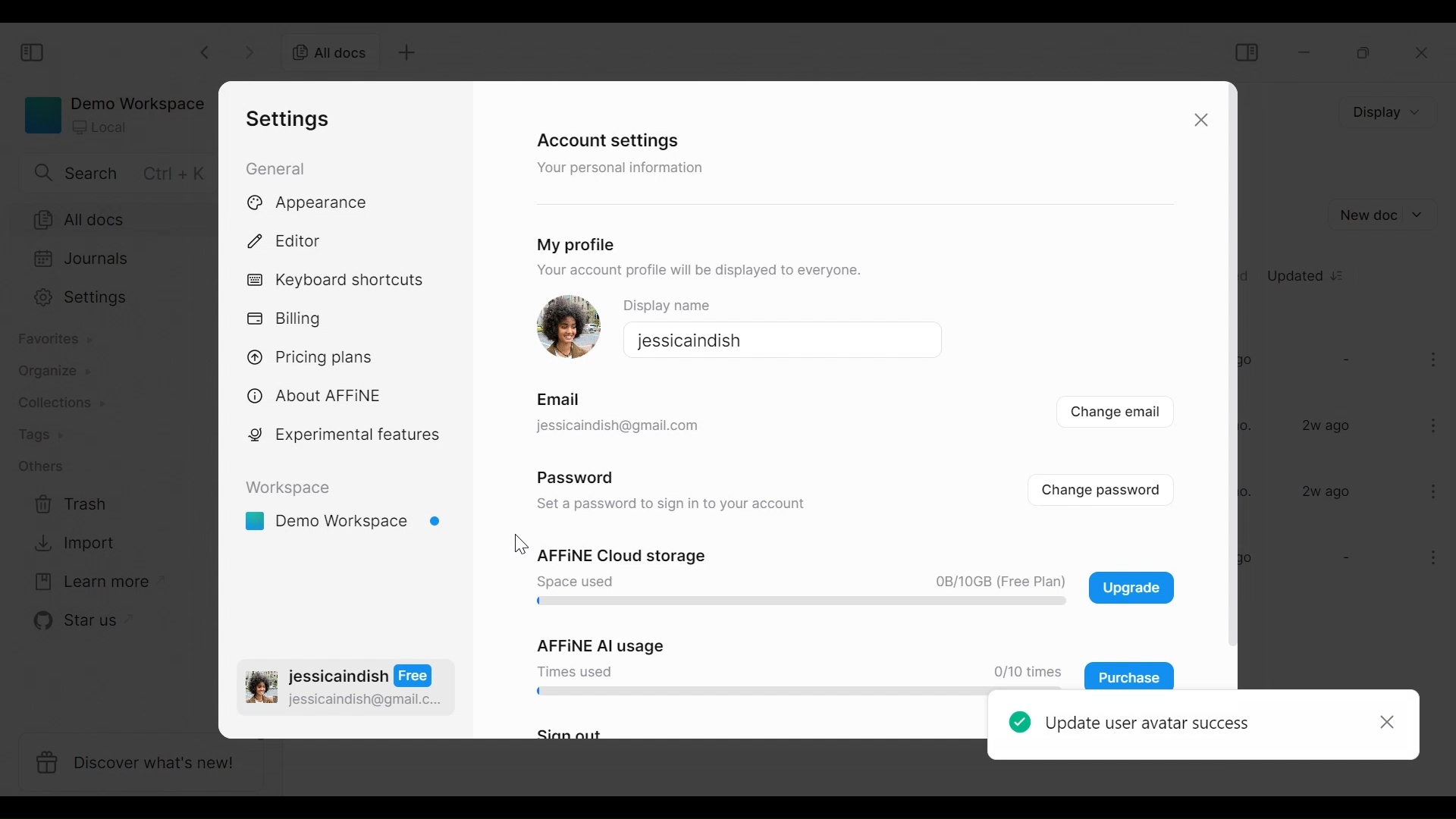 The image size is (1456, 819). Describe the element at coordinates (749, 692) in the screenshot. I see `progress bar` at that location.